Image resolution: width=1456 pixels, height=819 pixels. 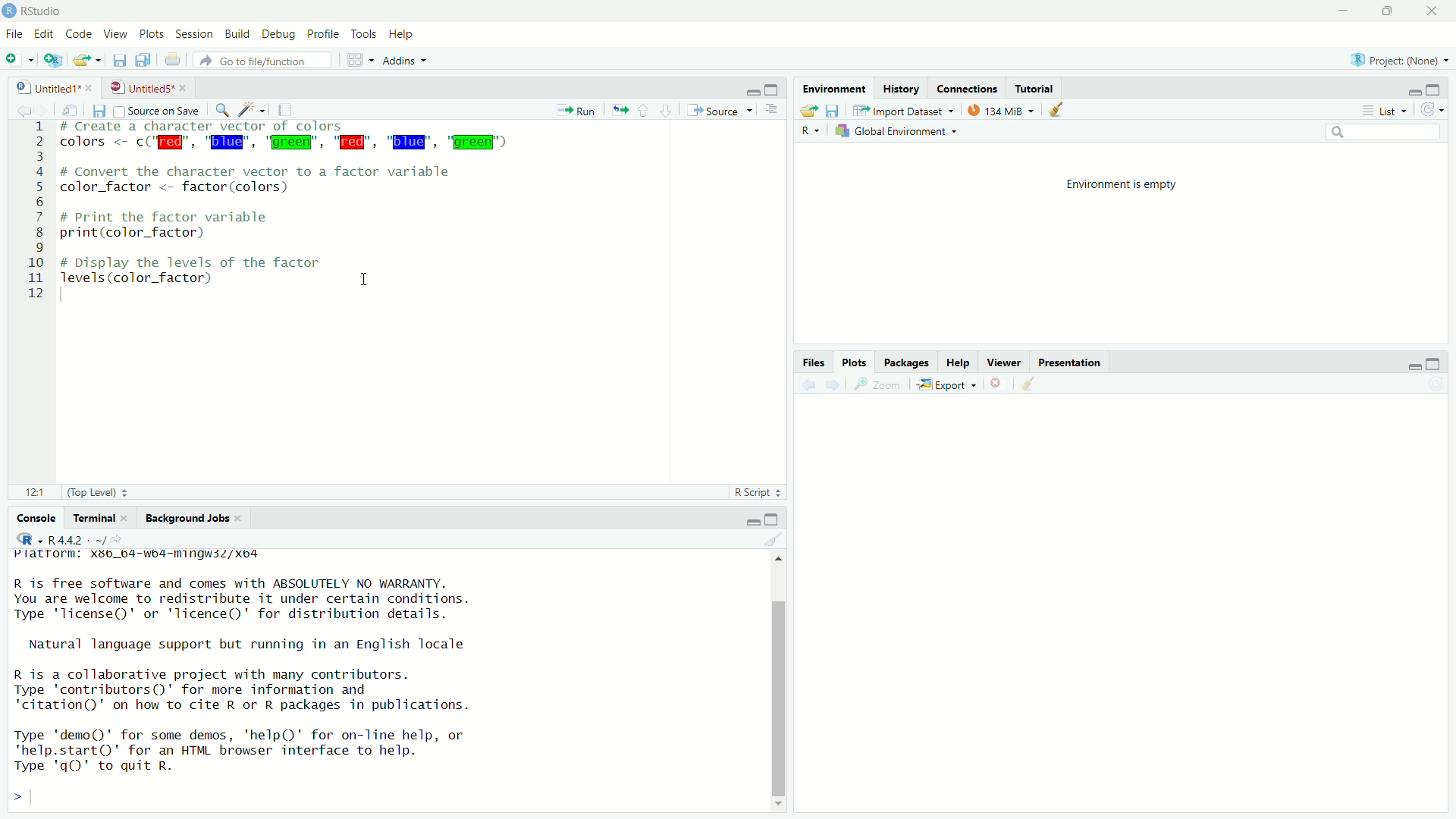 I want to click on file, so click(x=14, y=35).